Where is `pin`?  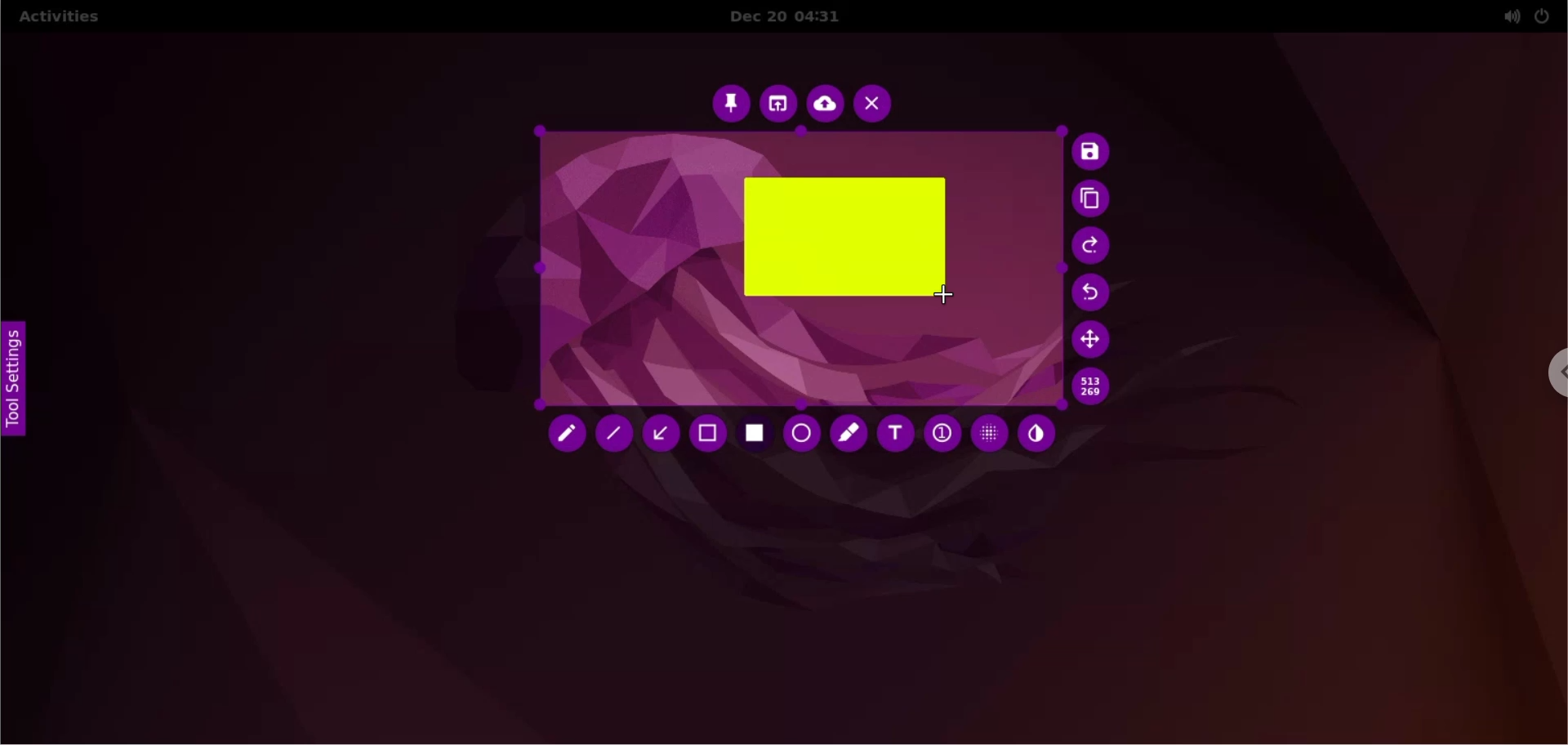
pin is located at coordinates (731, 103).